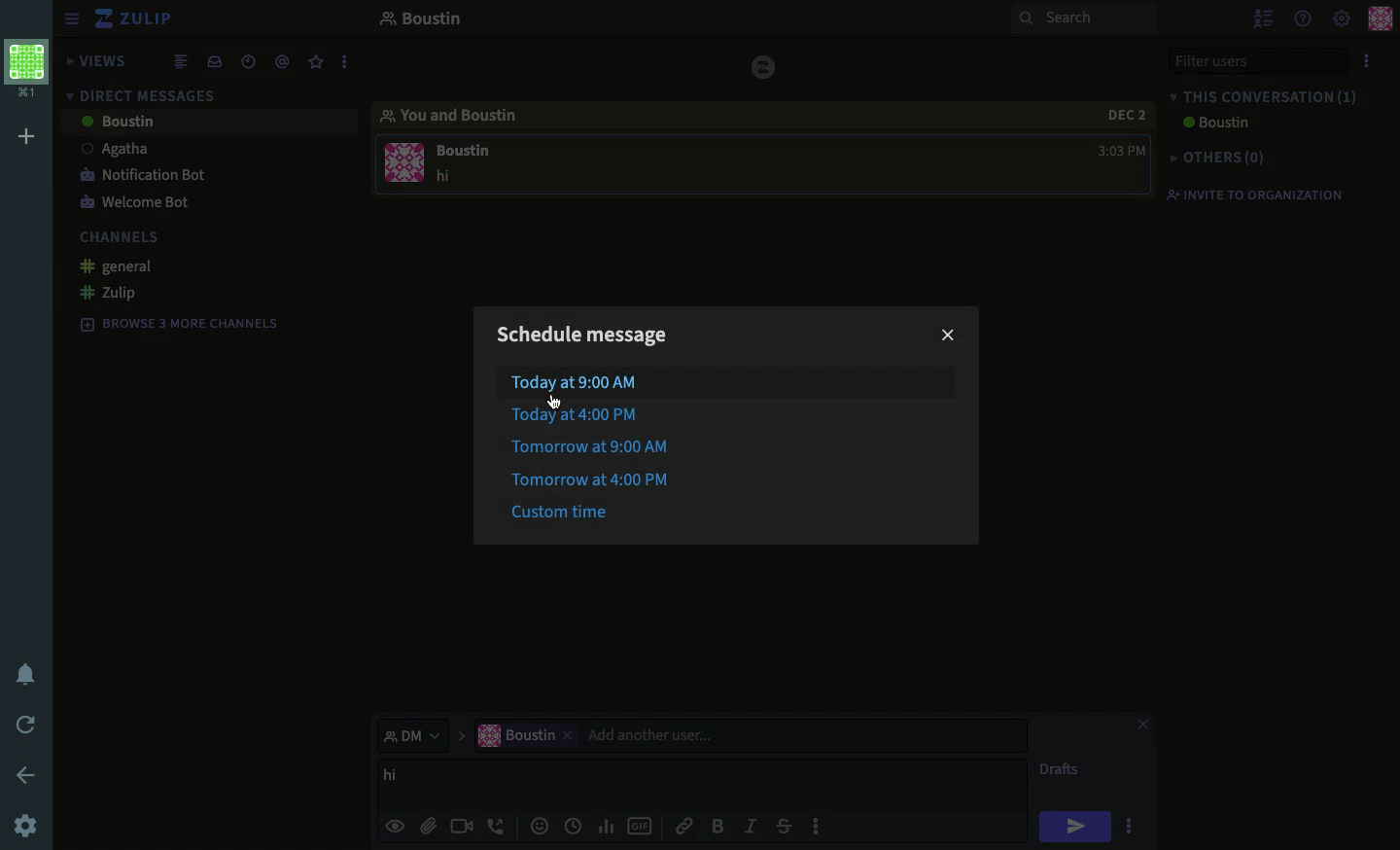  I want to click on gif, so click(642, 826).